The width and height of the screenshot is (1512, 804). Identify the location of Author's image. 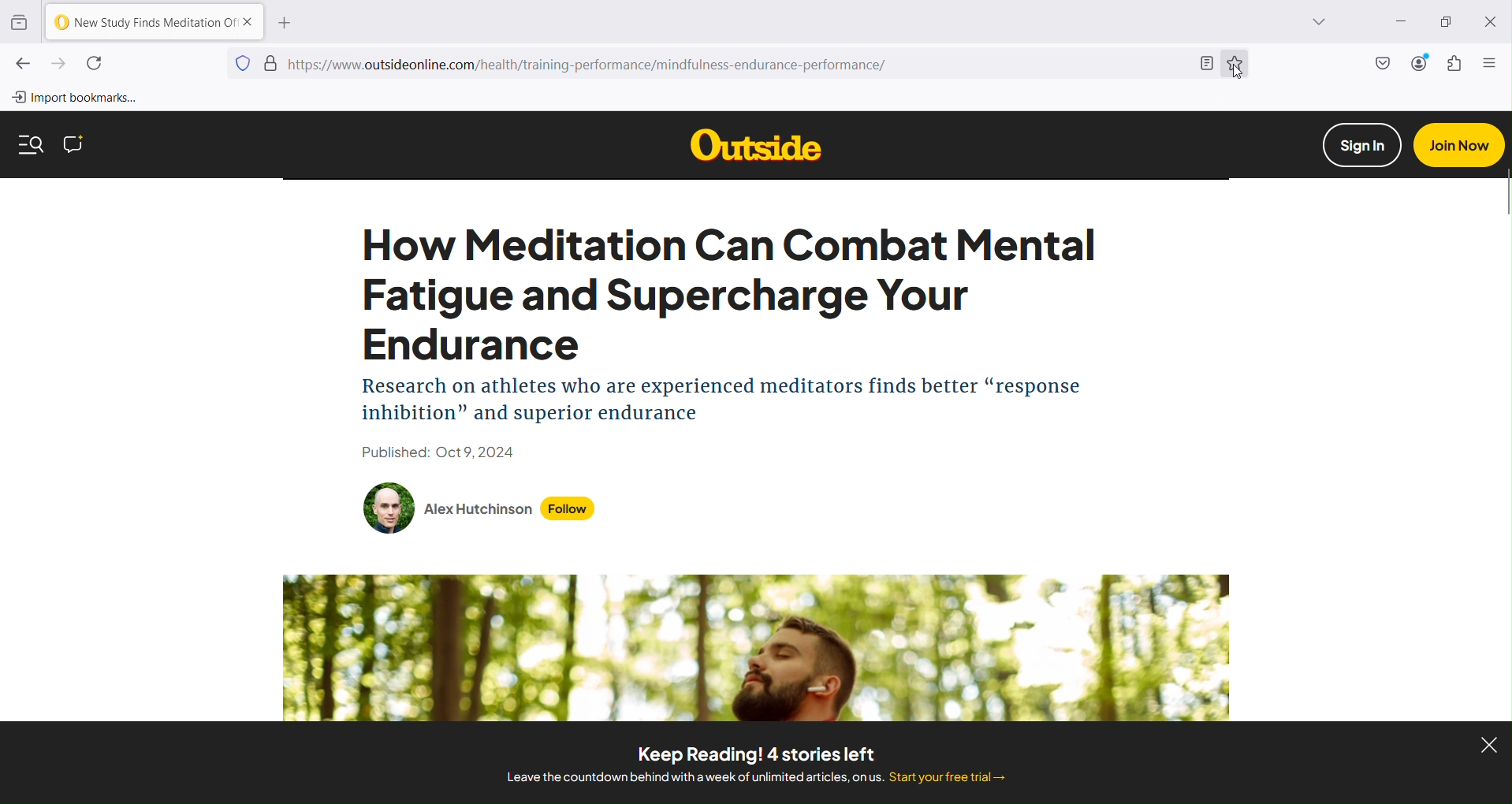
(389, 508).